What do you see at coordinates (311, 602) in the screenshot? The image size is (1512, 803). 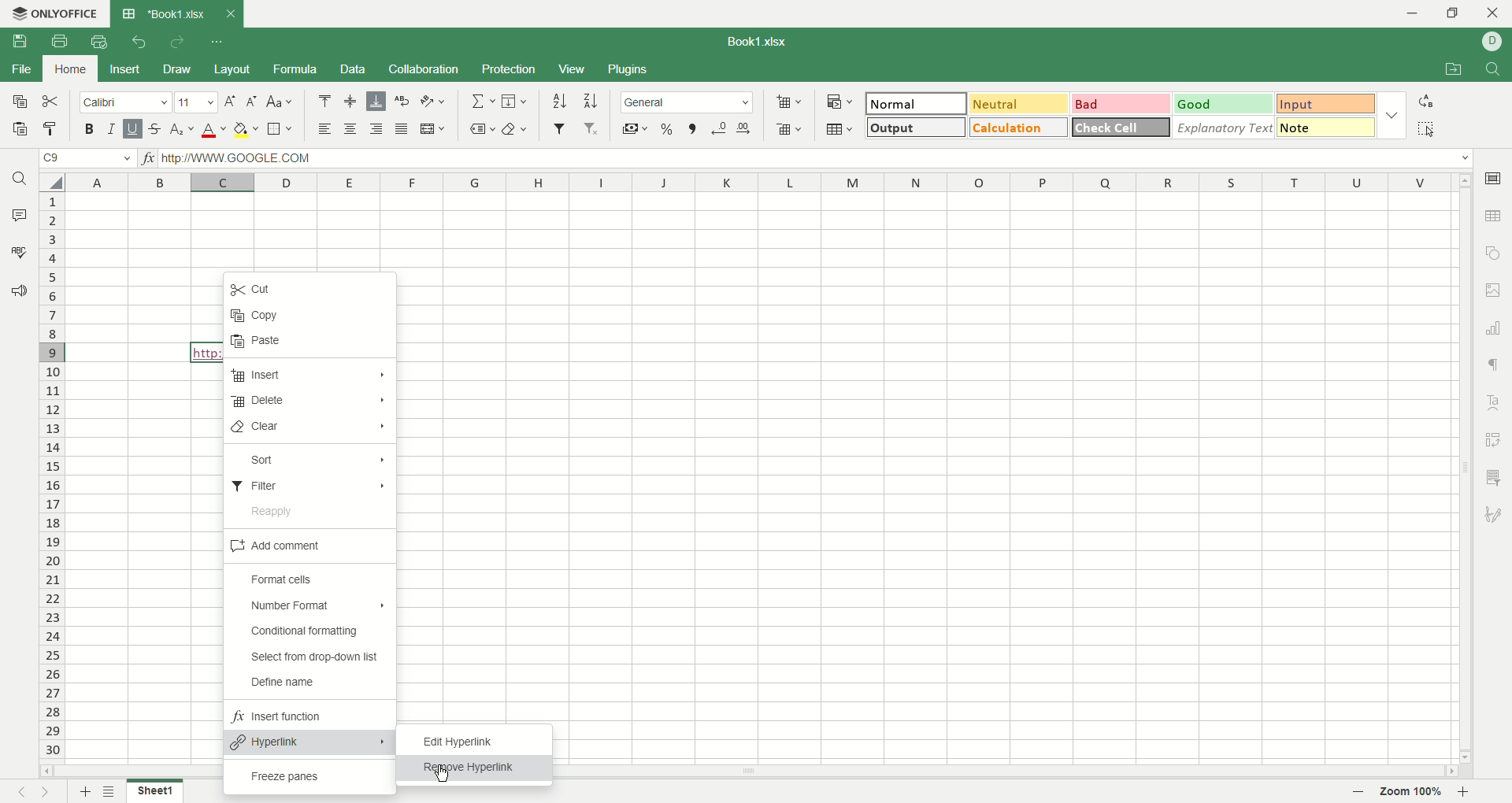 I see `number format ` at bounding box center [311, 602].